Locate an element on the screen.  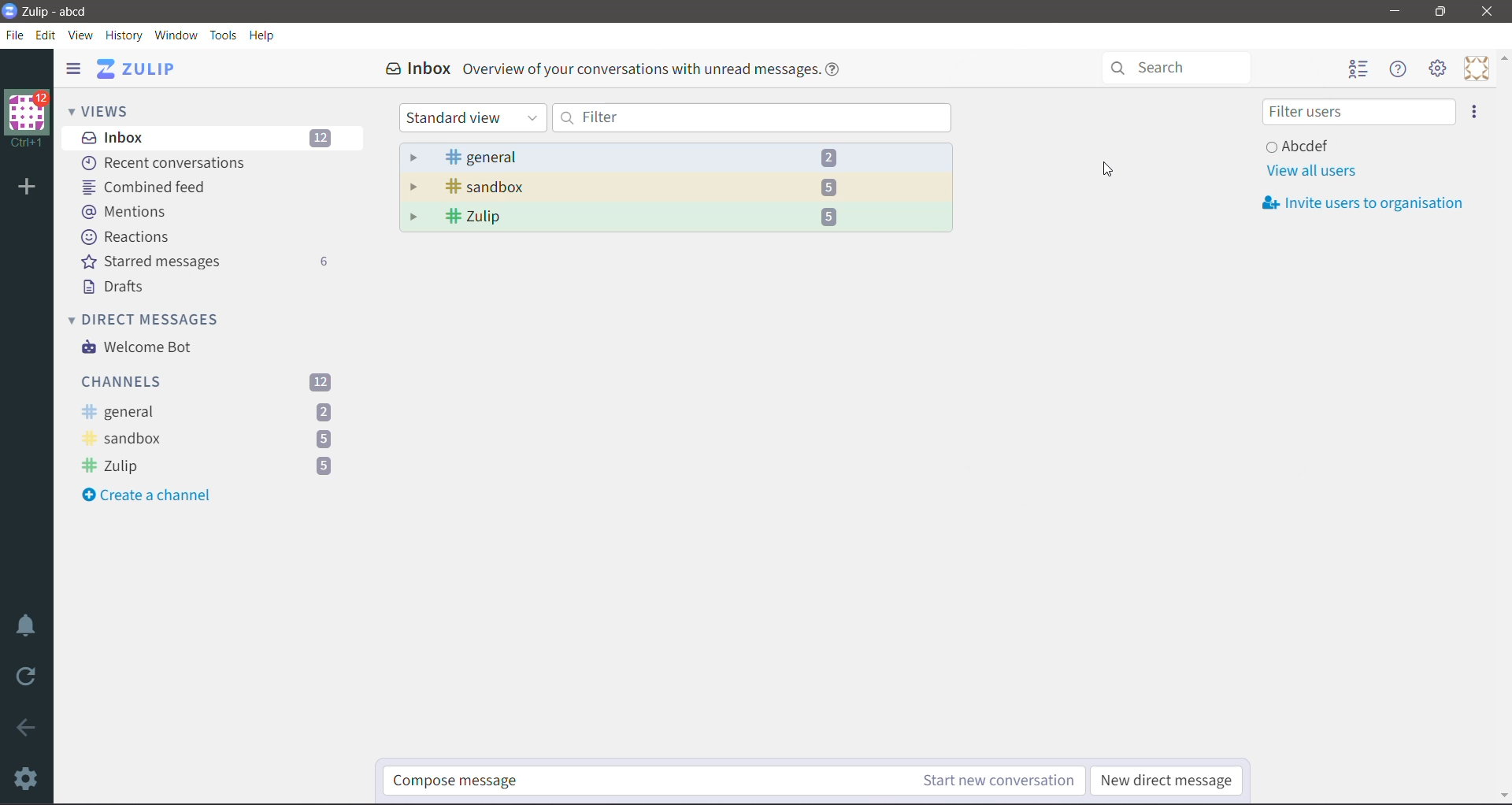
View all users is located at coordinates (1310, 170).